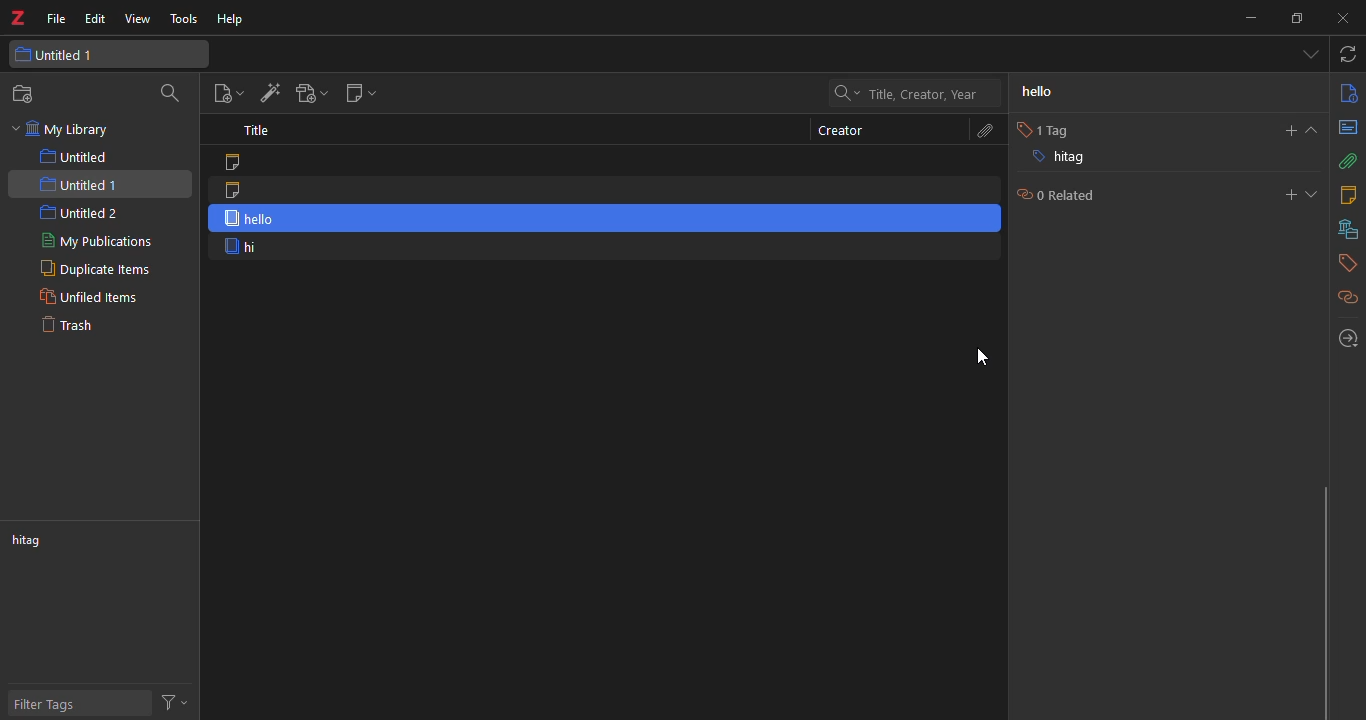 The height and width of the screenshot is (720, 1366). I want to click on tag added, so click(1085, 160).